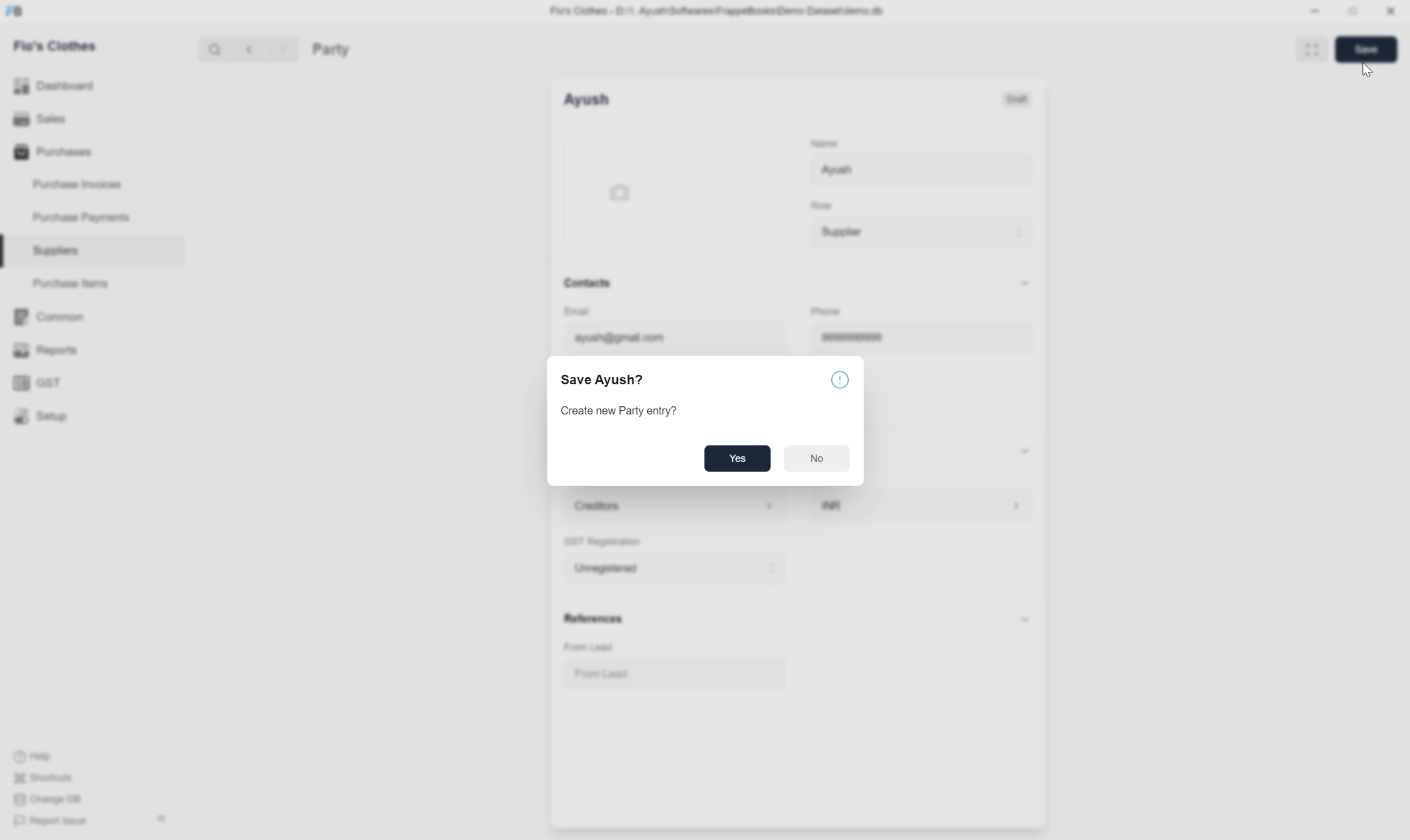 Image resolution: width=1410 pixels, height=840 pixels. What do you see at coordinates (55, 45) in the screenshot?
I see `Flo's Clothes` at bounding box center [55, 45].